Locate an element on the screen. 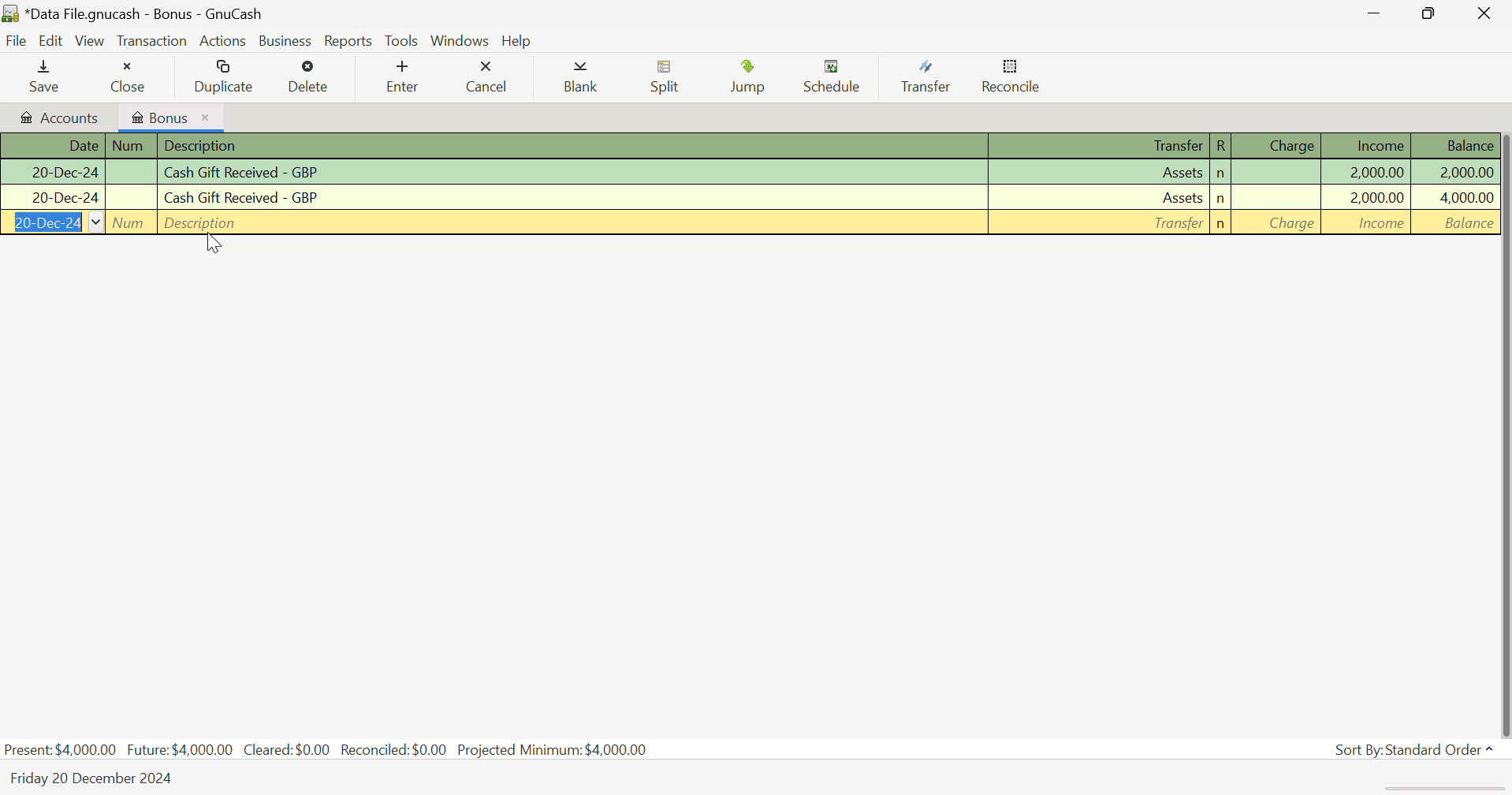 This screenshot has height=795, width=1512. Split is located at coordinates (666, 79).